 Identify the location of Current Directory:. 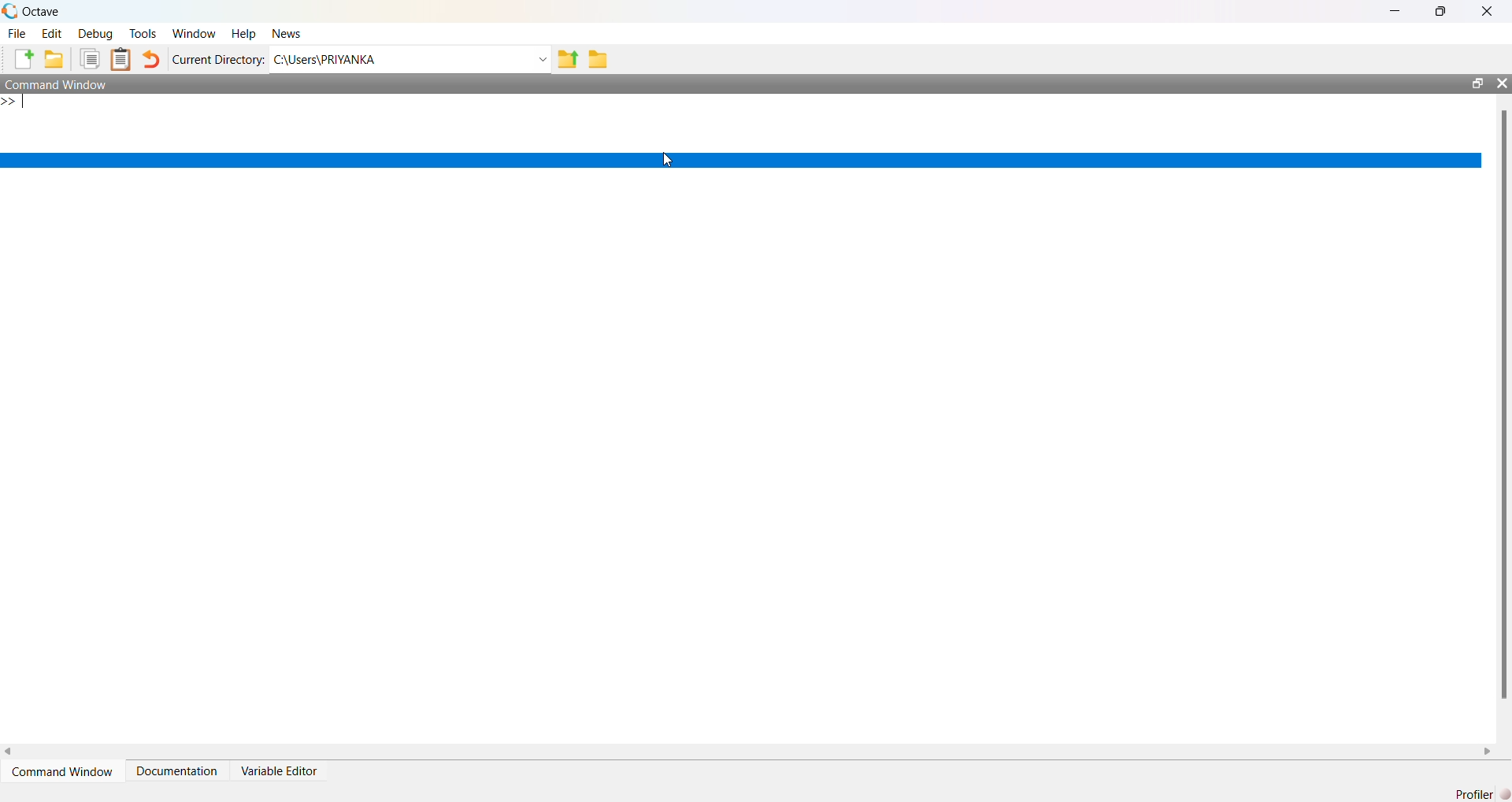
(219, 59).